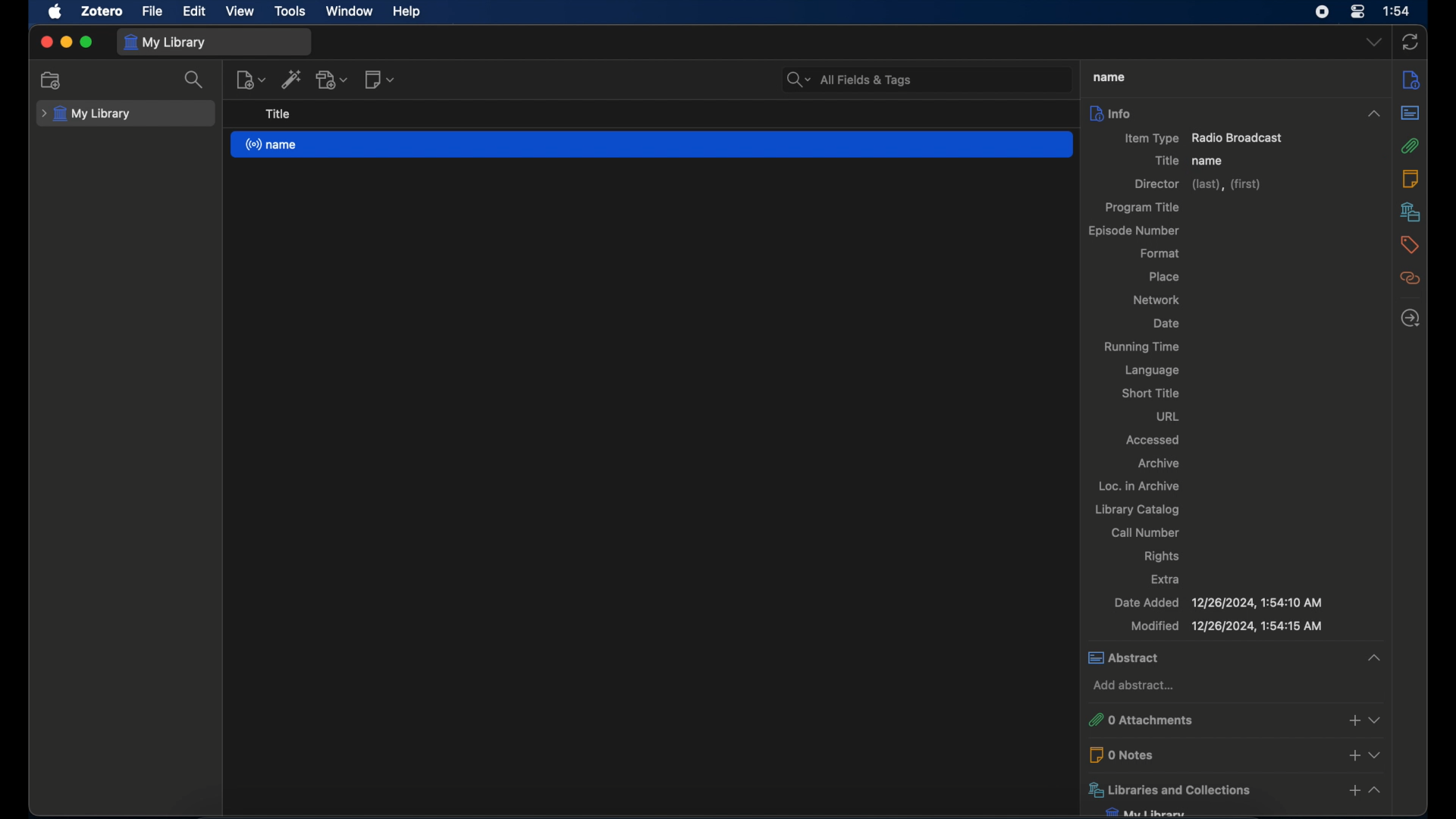  Describe the element at coordinates (1234, 790) in the screenshot. I see `libraries and collections` at that location.